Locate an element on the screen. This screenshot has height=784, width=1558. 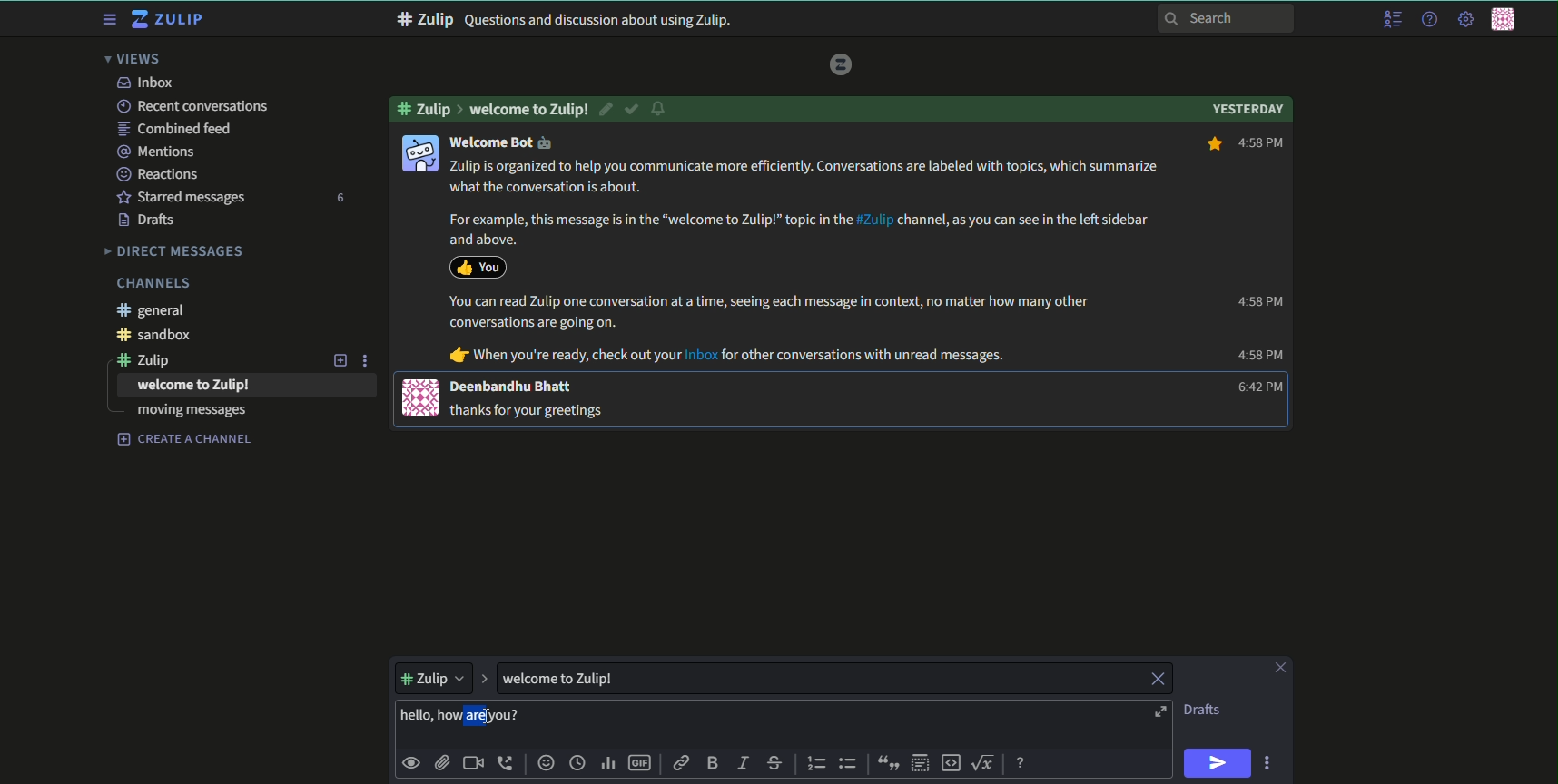
preview is located at coordinates (412, 761).